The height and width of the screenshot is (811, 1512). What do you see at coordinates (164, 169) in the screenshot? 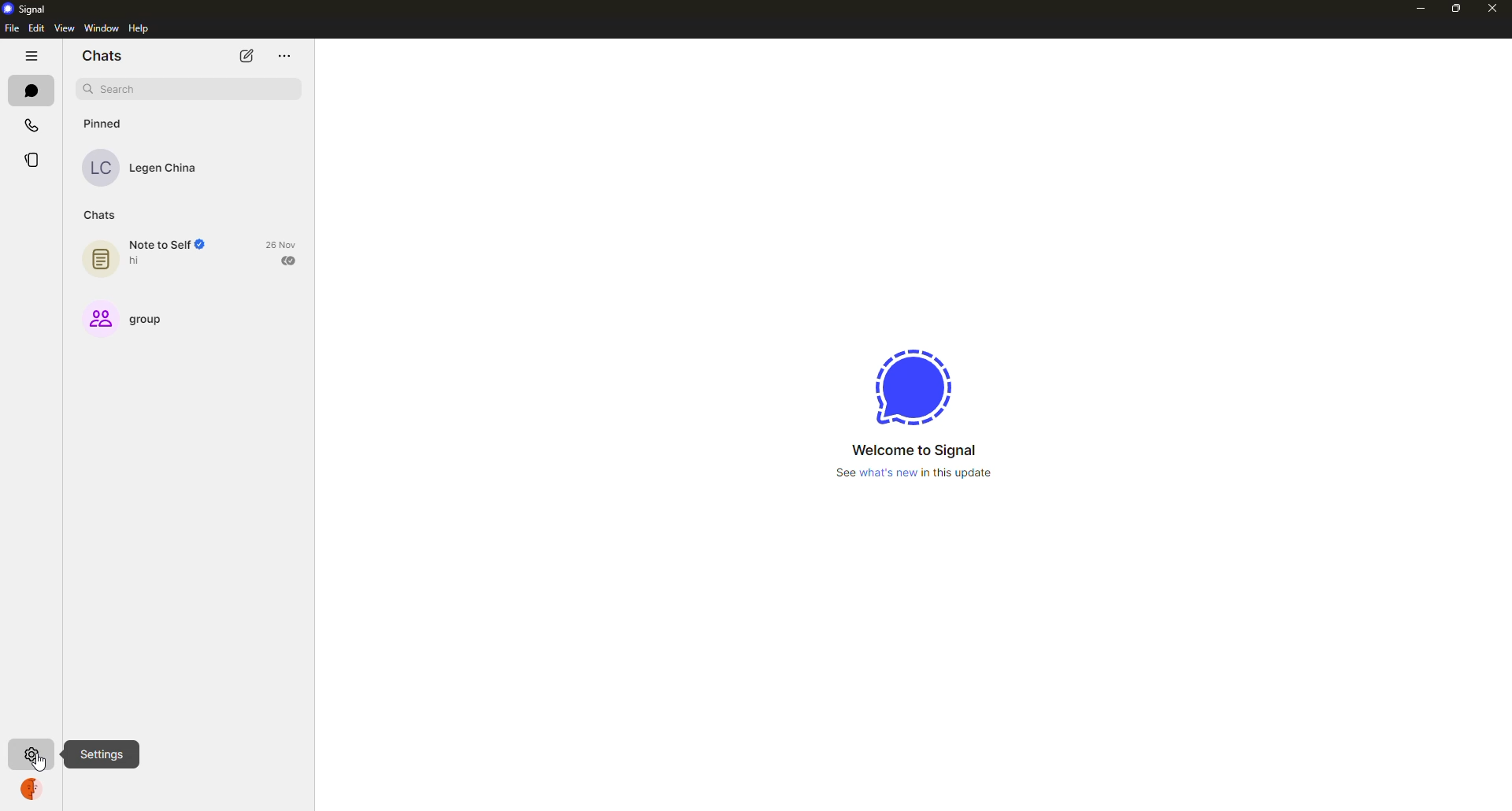
I see `Legen China` at bounding box center [164, 169].